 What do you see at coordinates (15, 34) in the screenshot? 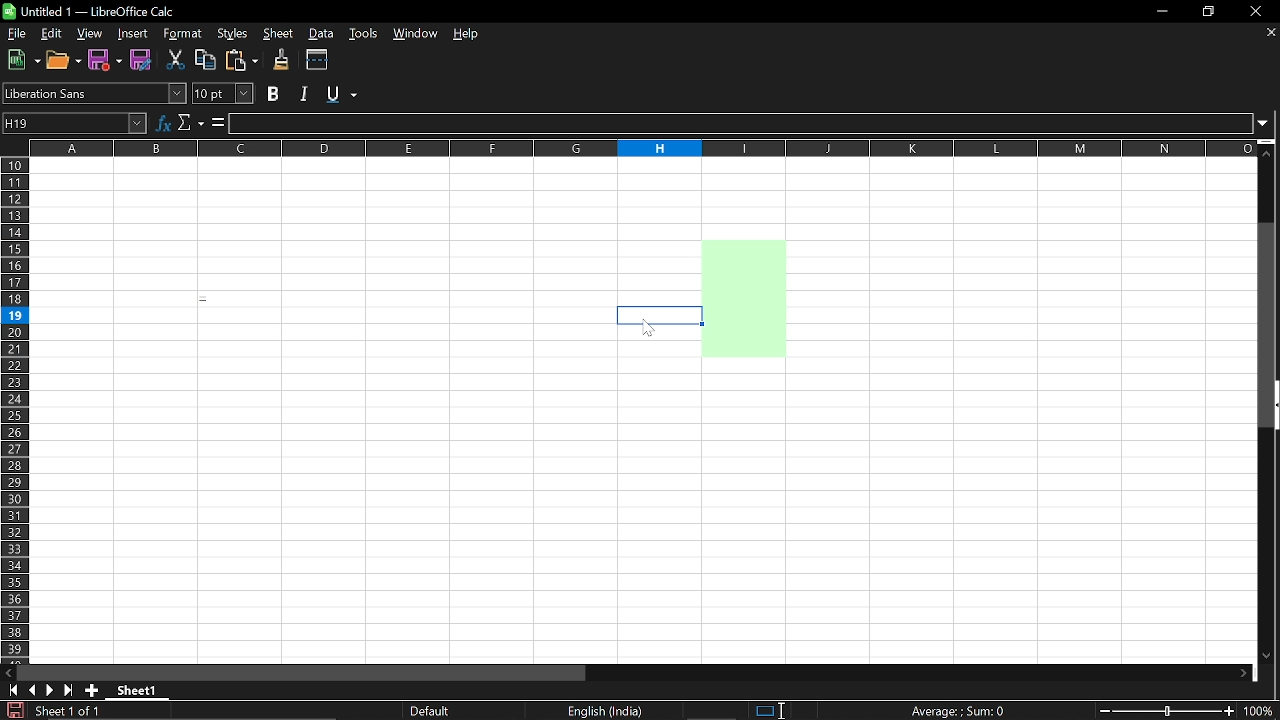
I see `File` at bounding box center [15, 34].